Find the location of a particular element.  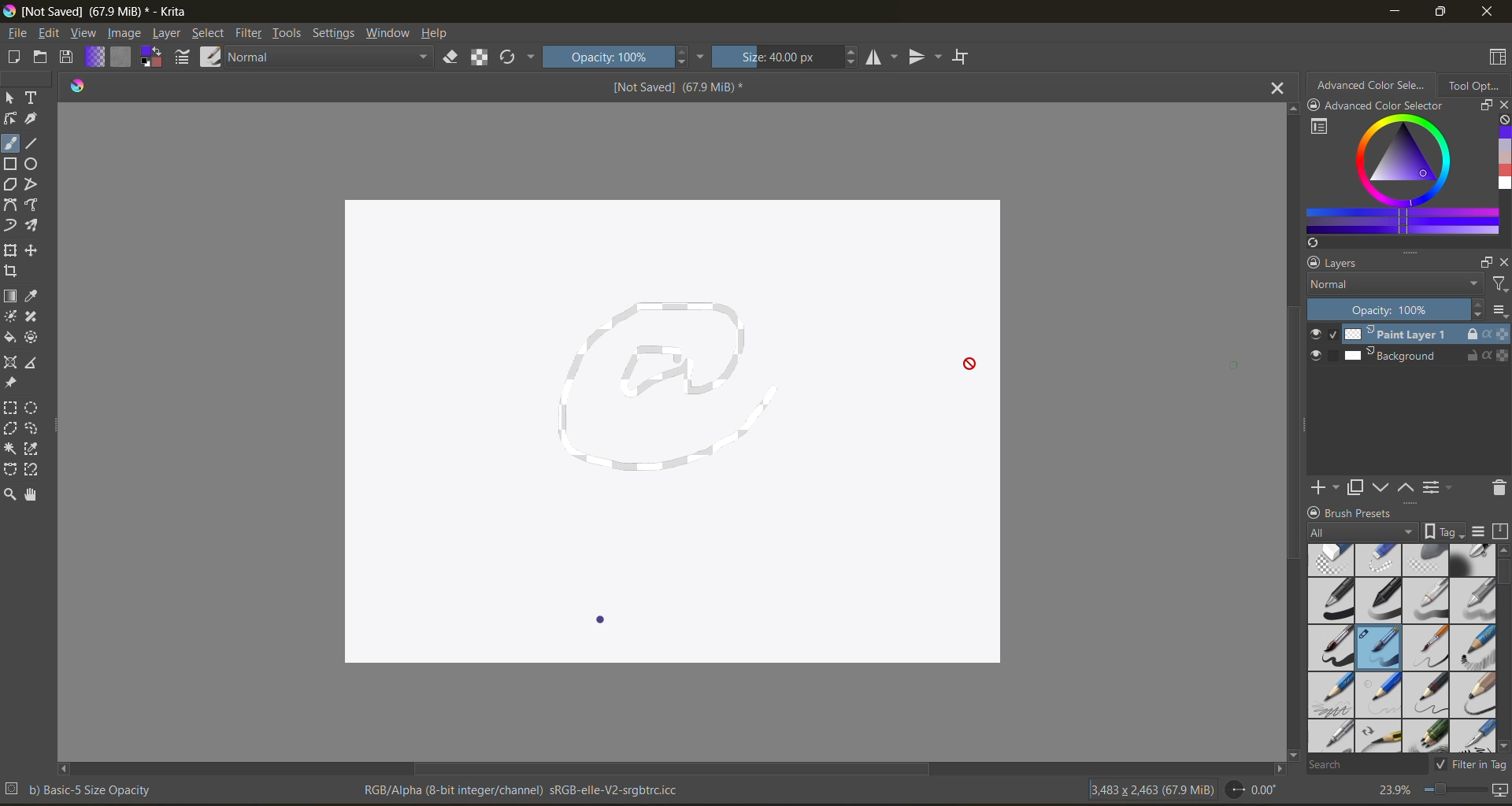

calligraphy is located at coordinates (1473, 736).